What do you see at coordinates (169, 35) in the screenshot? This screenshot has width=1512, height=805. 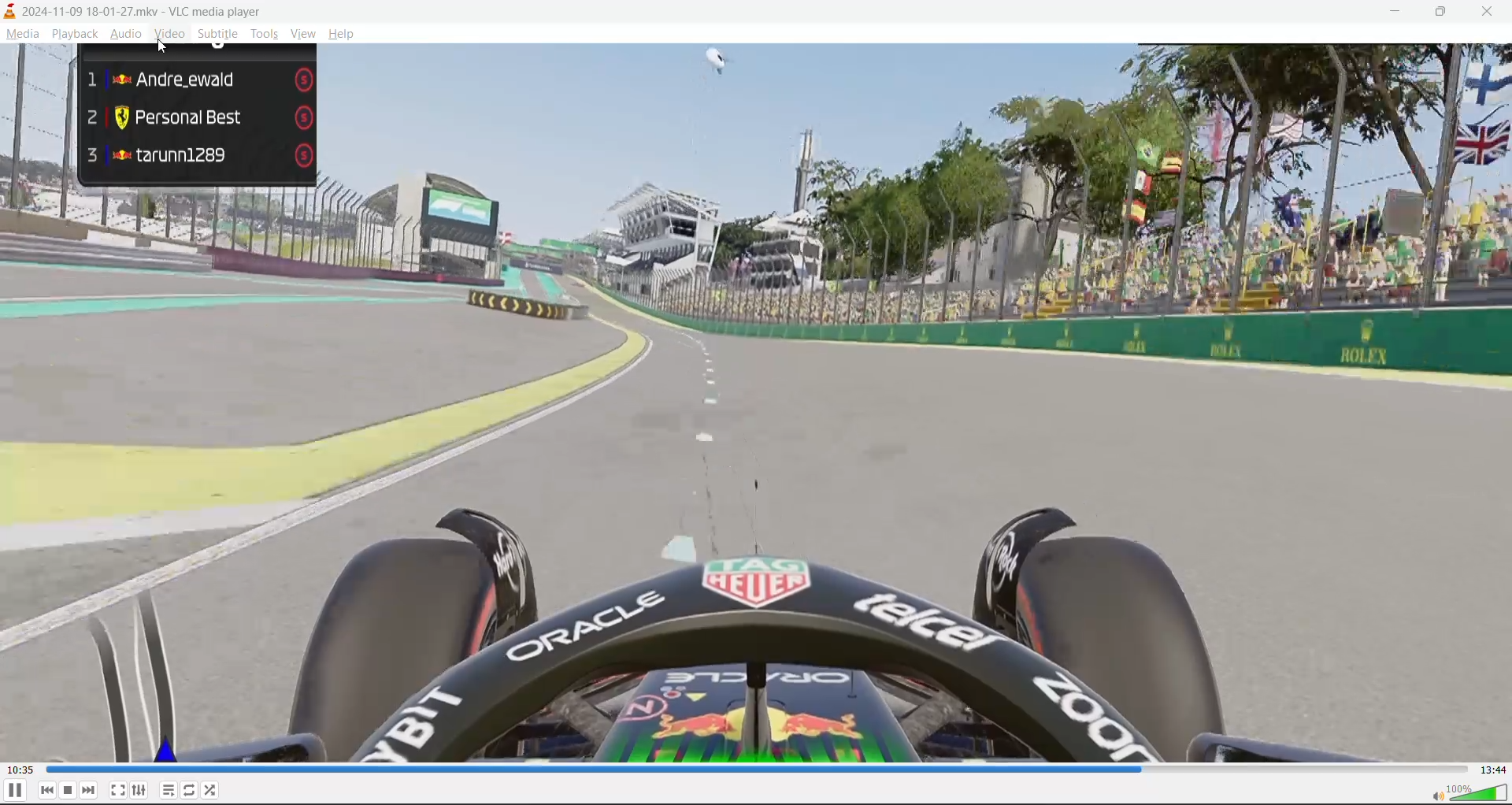 I see `video` at bounding box center [169, 35].